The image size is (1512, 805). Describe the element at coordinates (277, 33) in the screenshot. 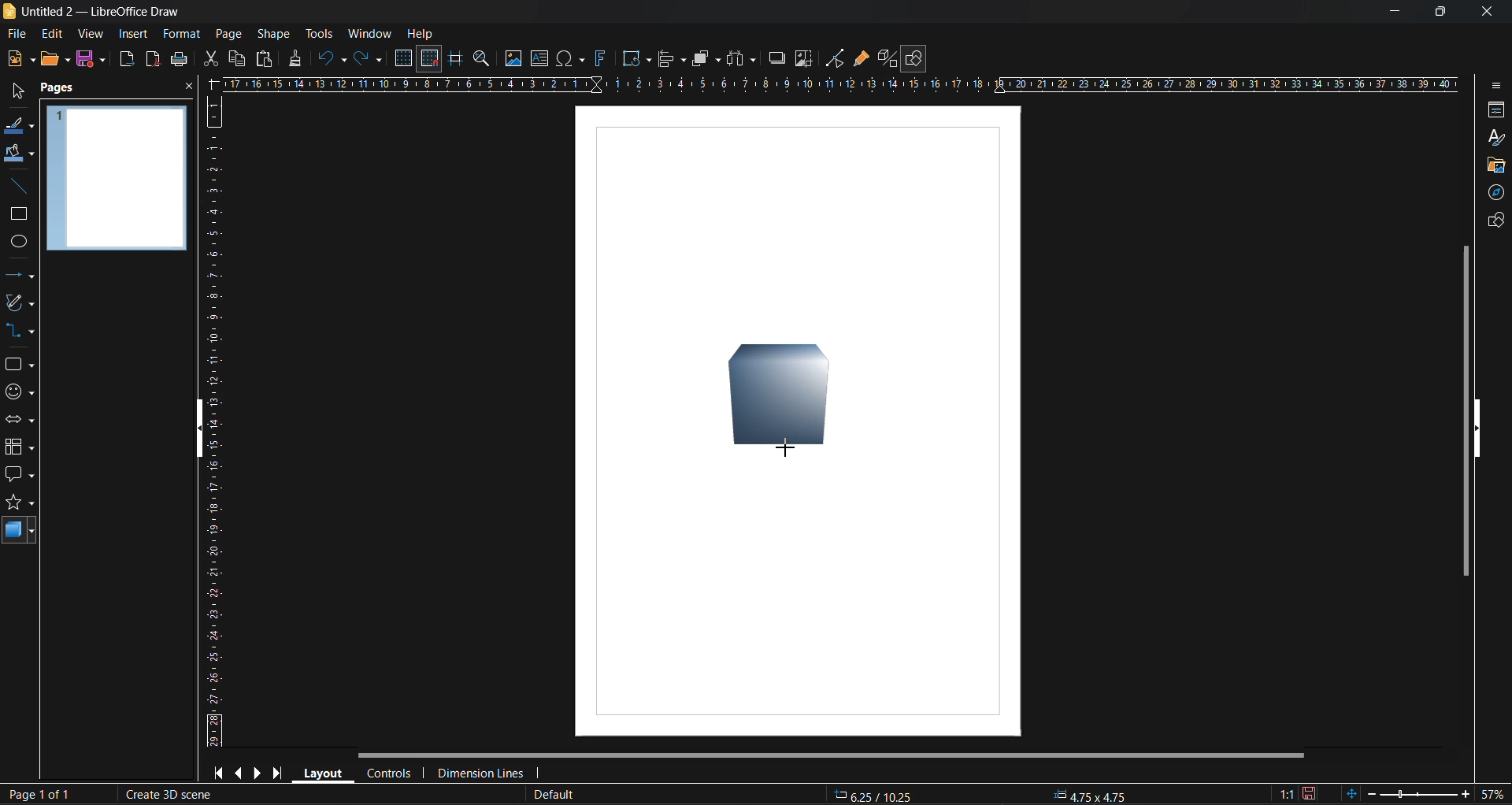

I see `shape` at that location.